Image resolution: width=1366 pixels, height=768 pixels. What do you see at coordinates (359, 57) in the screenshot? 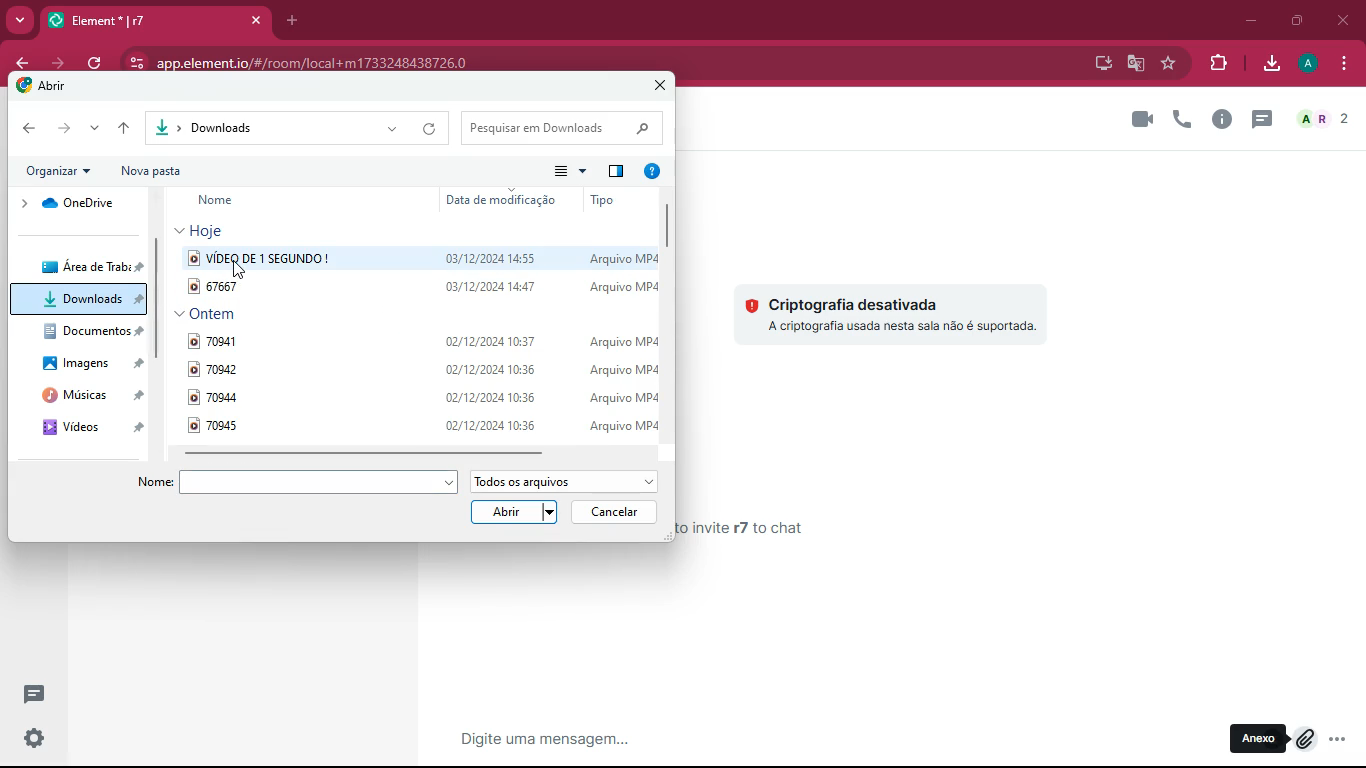
I see `app.element.io/#/room/local+m1733248438726.0` at bounding box center [359, 57].